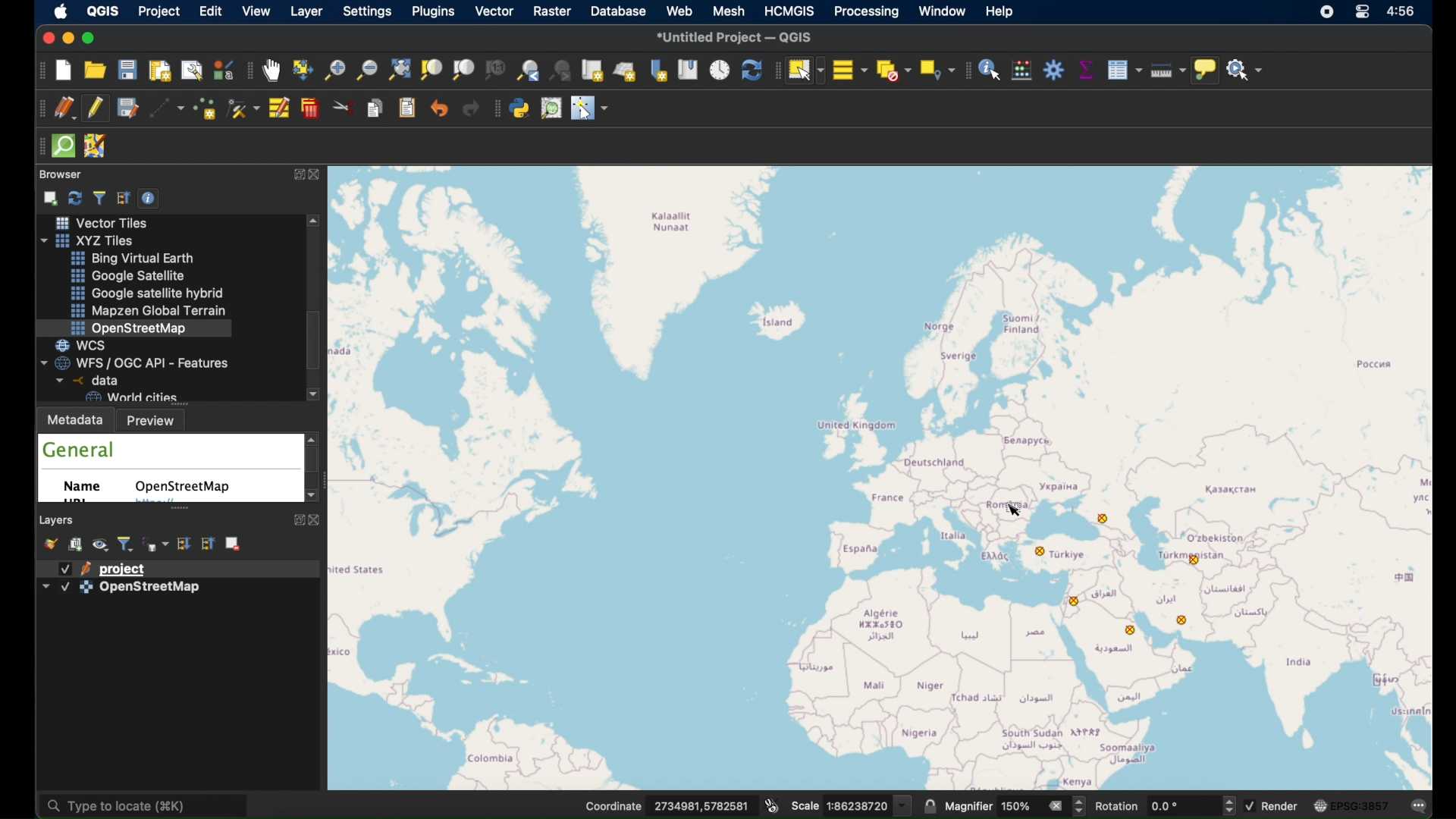  Describe the element at coordinates (130, 328) in the screenshot. I see `openstreetmap` at that location.